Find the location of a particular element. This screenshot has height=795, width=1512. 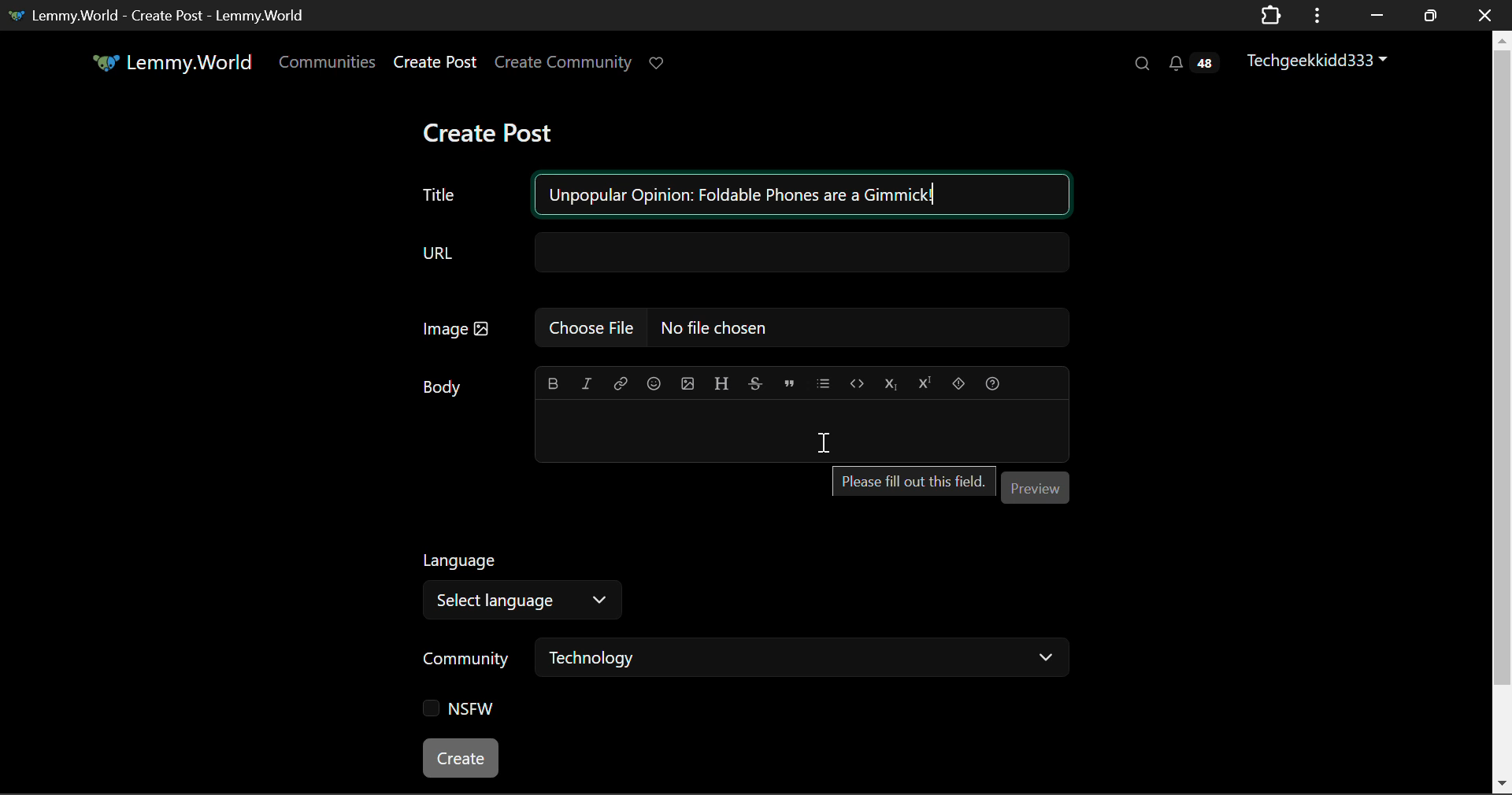

quote is located at coordinates (790, 382).